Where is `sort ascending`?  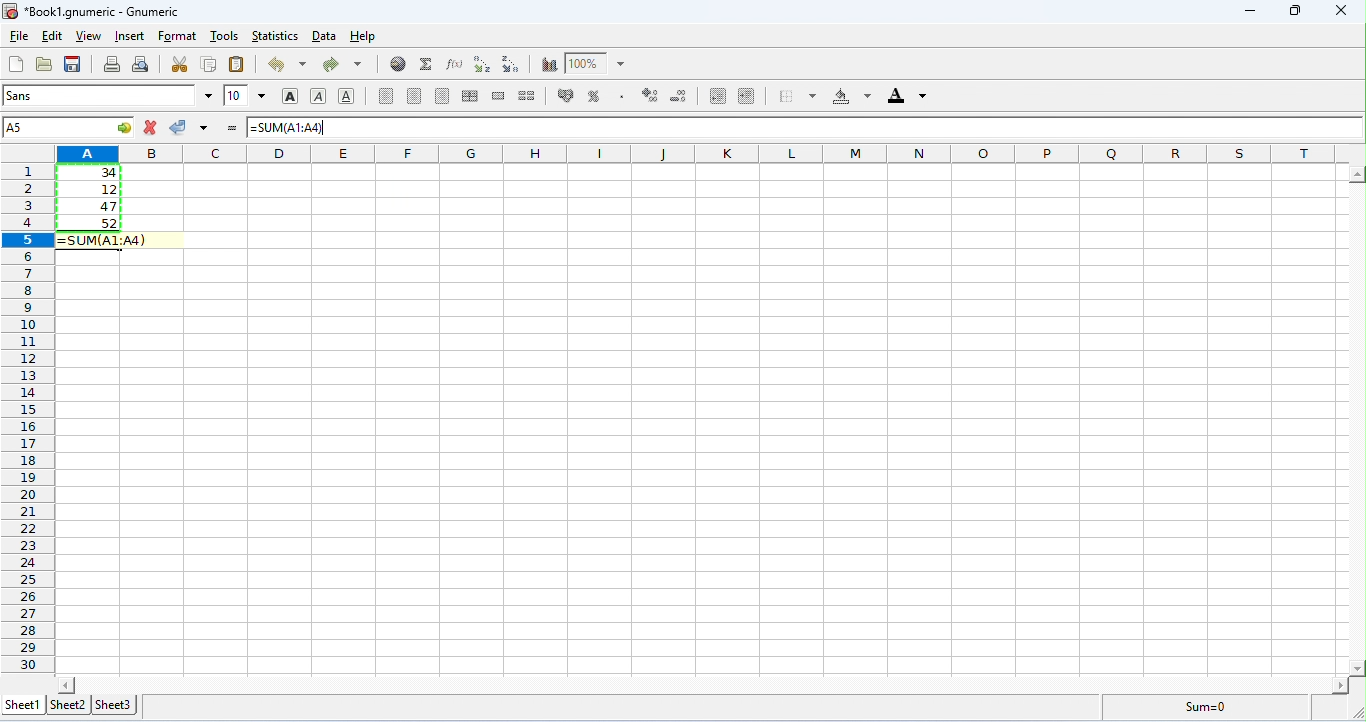 sort ascending is located at coordinates (482, 64).